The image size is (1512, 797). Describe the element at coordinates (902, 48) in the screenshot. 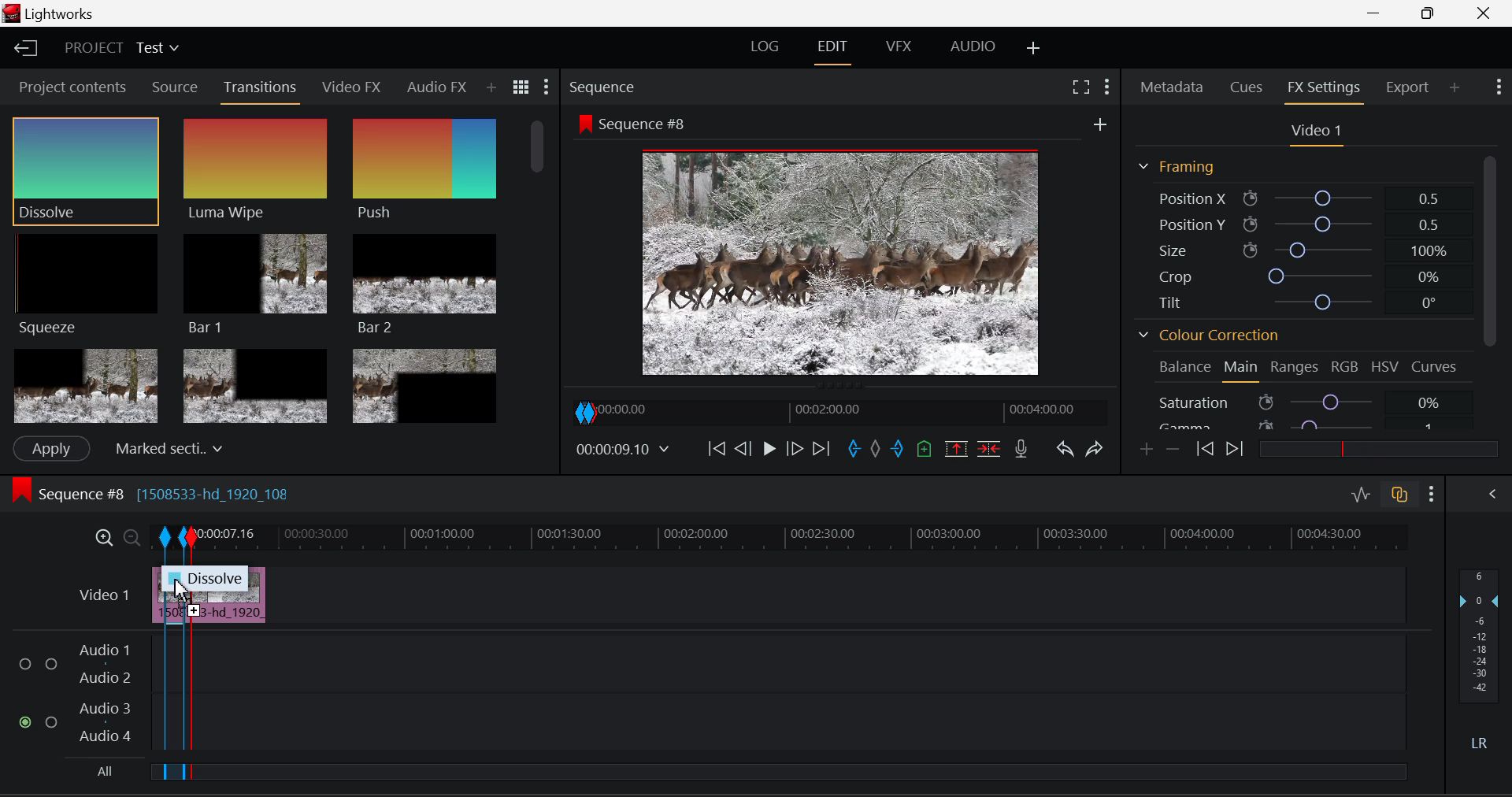

I see `VFX Layout` at that location.